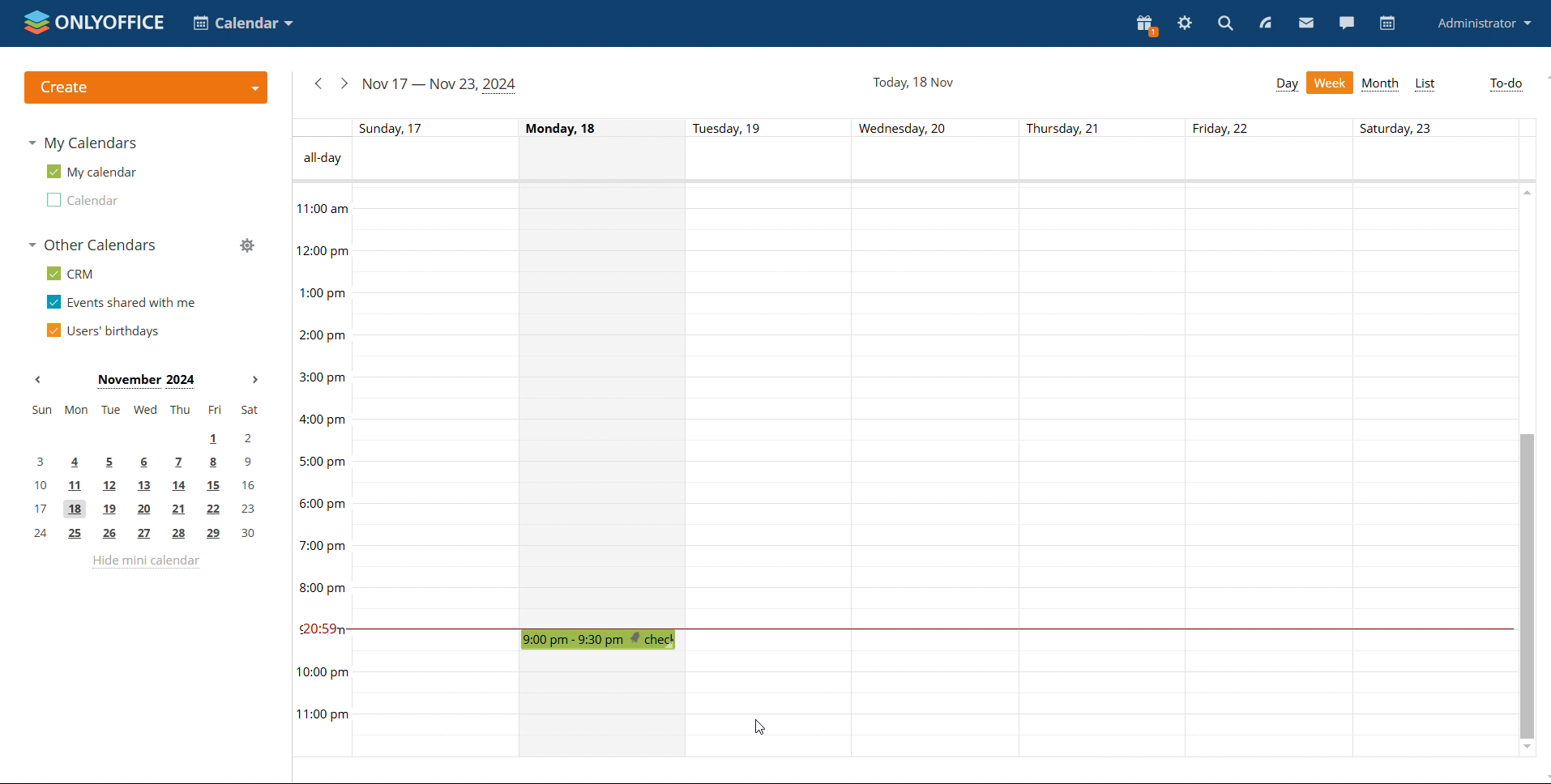  What do you see at coordinates (935, 127) in the screenshot?
I see `individual dates` at bounding box center [935, 127].